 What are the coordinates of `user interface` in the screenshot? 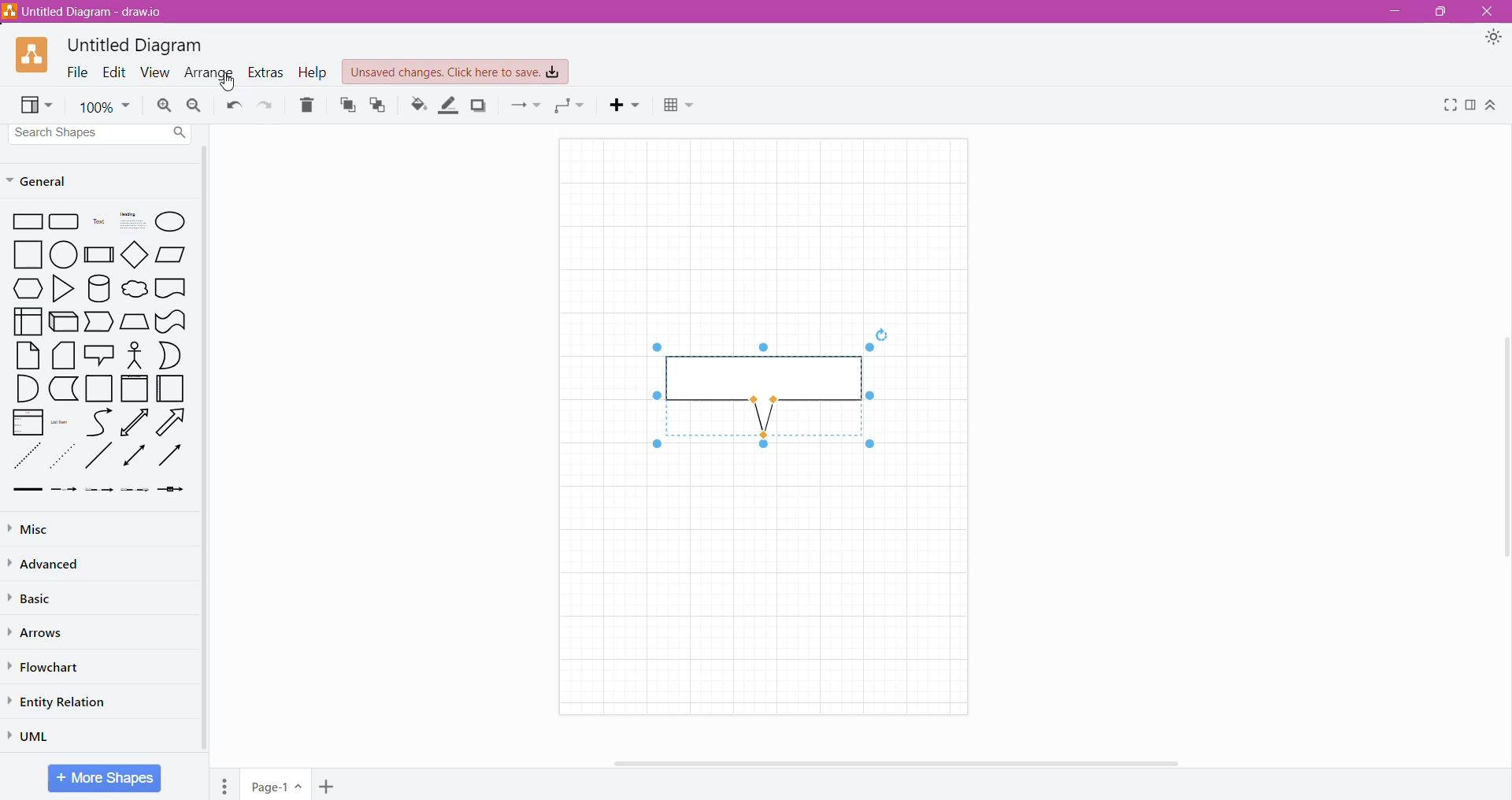 It's located at (28, 321).